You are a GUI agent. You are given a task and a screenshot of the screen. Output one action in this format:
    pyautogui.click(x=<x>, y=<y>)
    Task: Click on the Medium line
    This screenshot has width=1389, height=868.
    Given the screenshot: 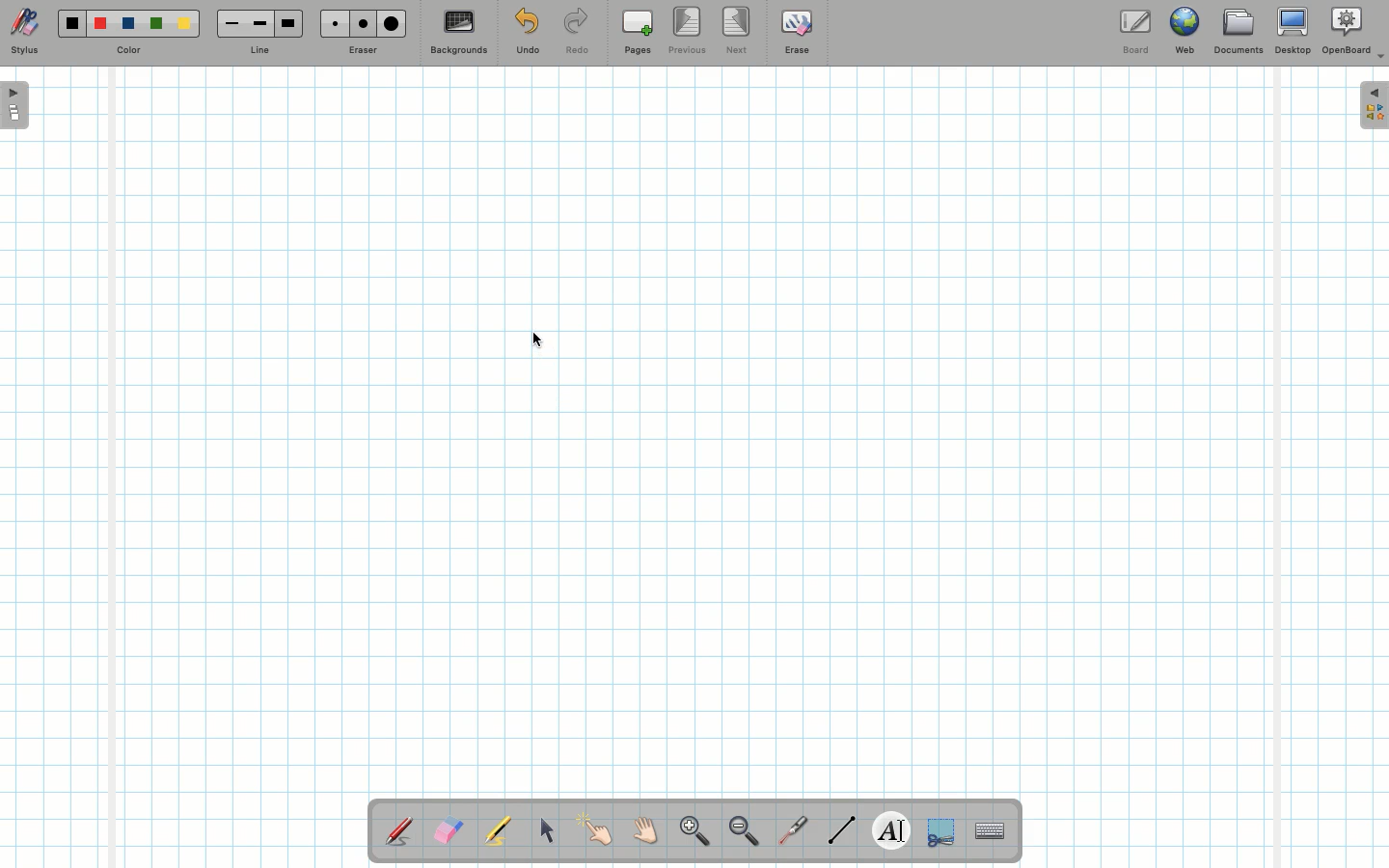 What is the action you would take?
    pyautogui.click(x=259, y=23)
    